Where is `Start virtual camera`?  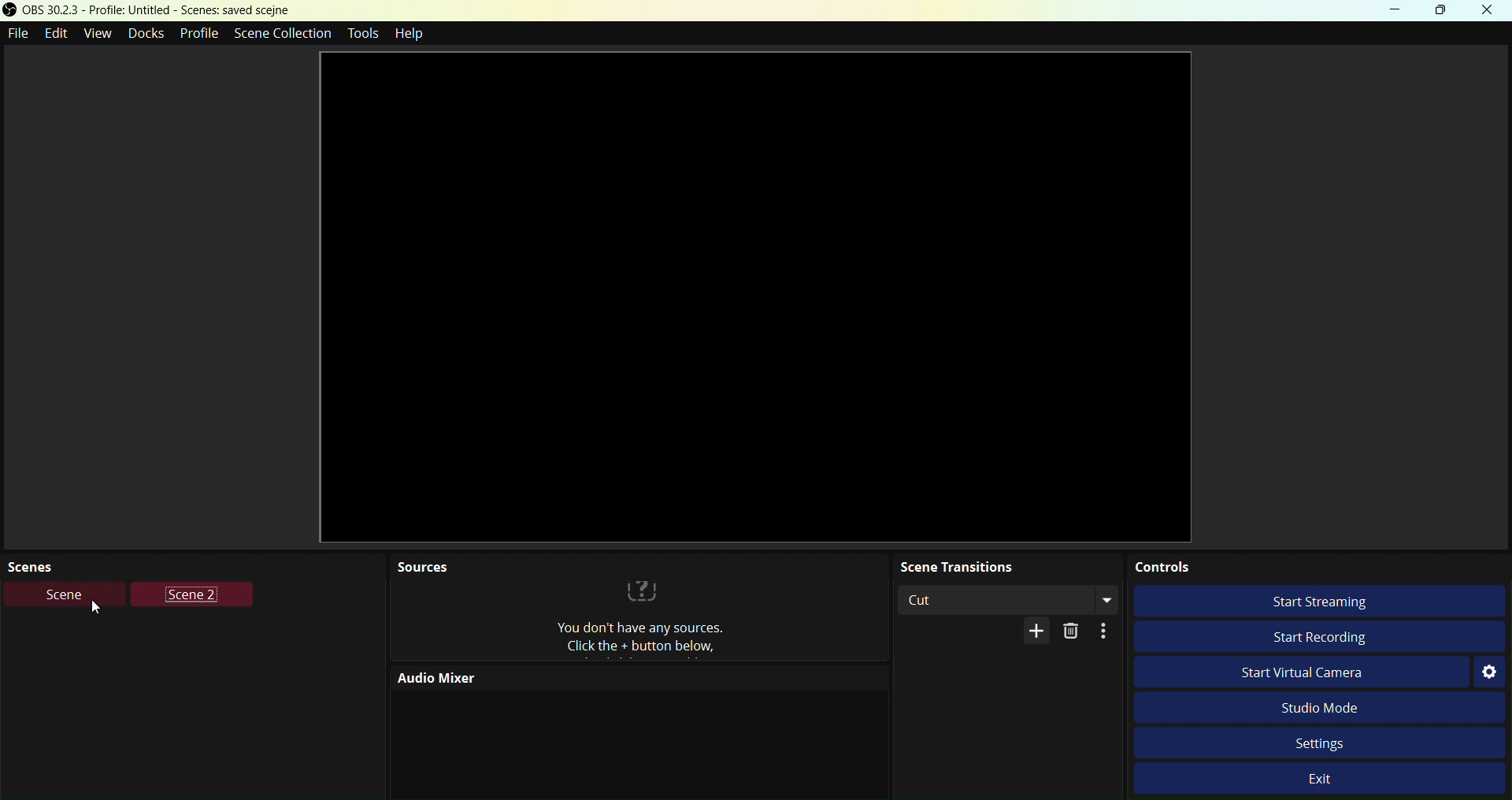
Start virtual camera is located at coordinates (1303, 672).